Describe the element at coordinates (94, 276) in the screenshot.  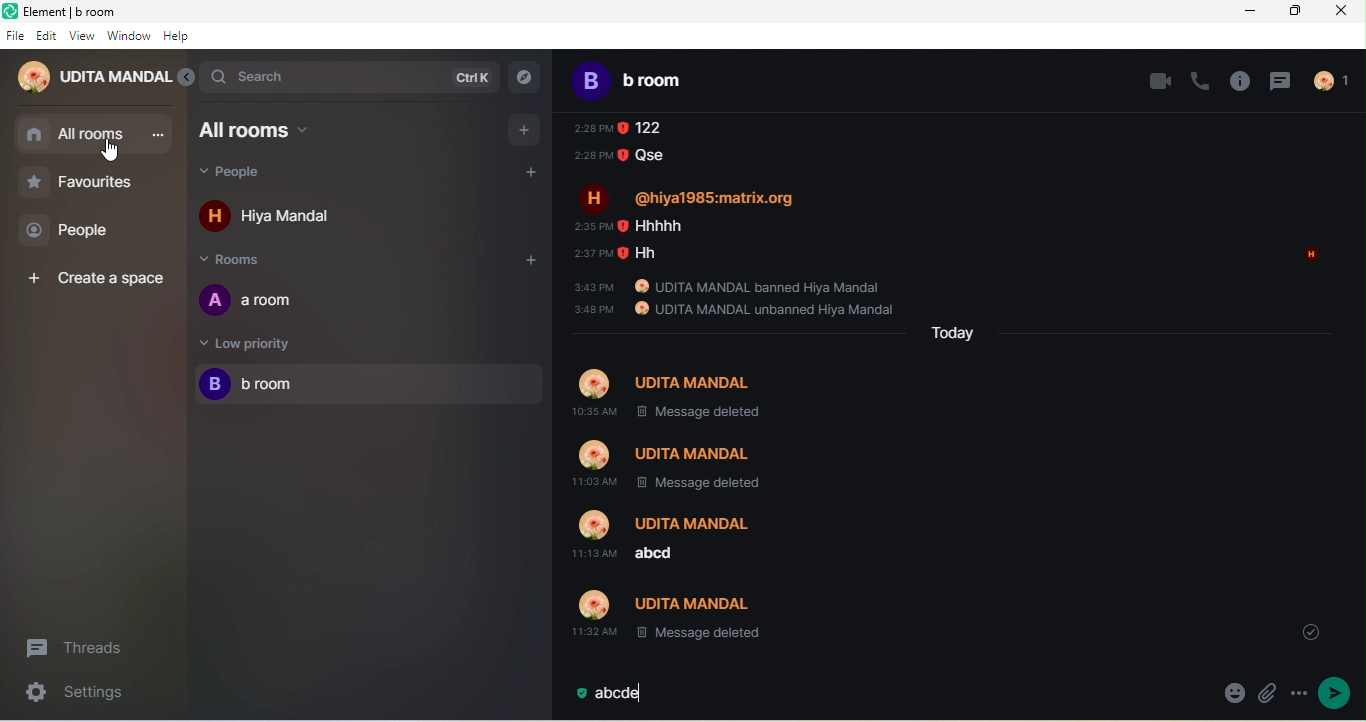
I see `create space` at that location.